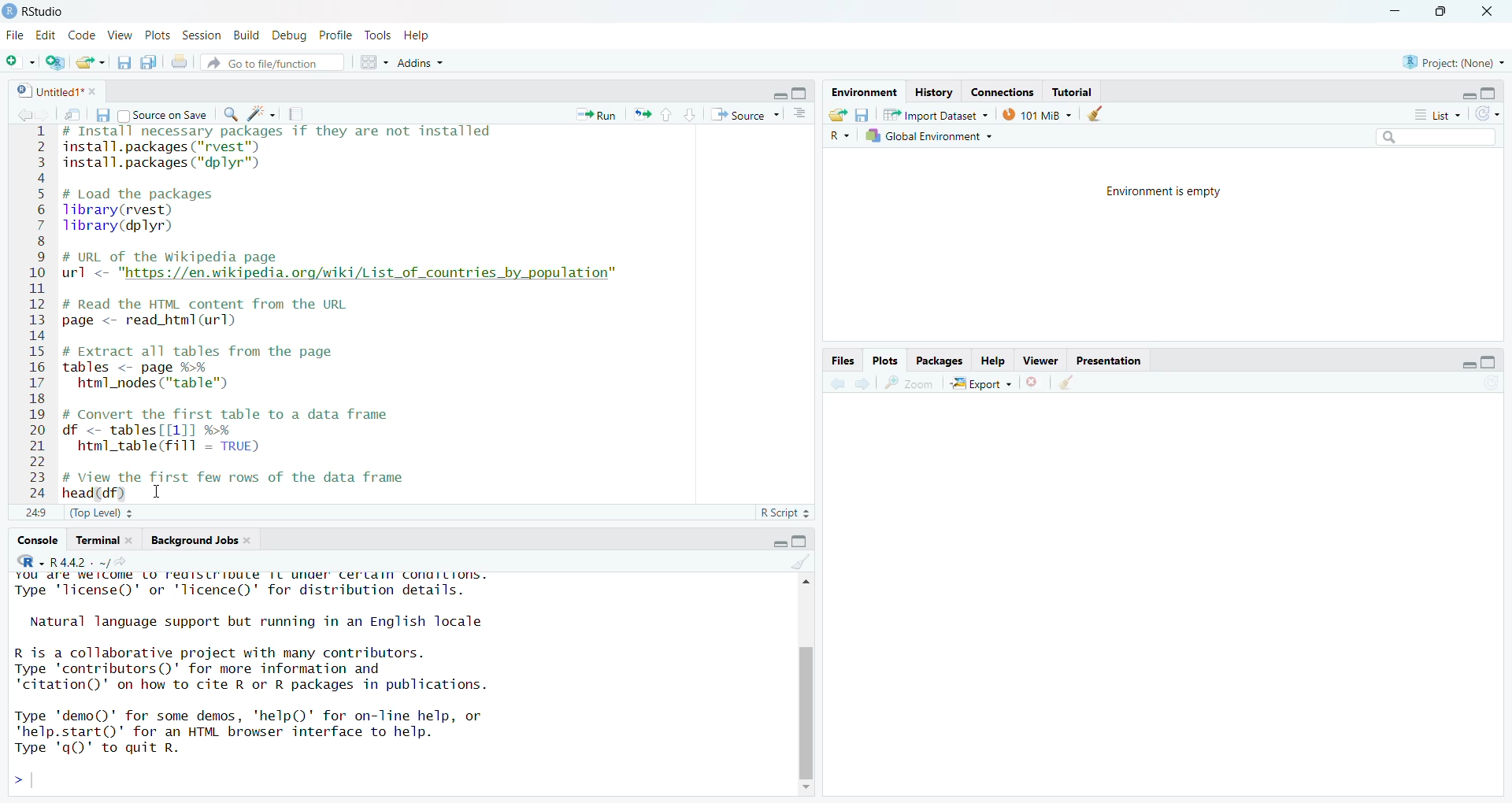 The height and width of the screenshot is (803, 1512). What do you see at coordinates (15, 35) in the screenshot?
I see `File` at bounding box center [15, 35].